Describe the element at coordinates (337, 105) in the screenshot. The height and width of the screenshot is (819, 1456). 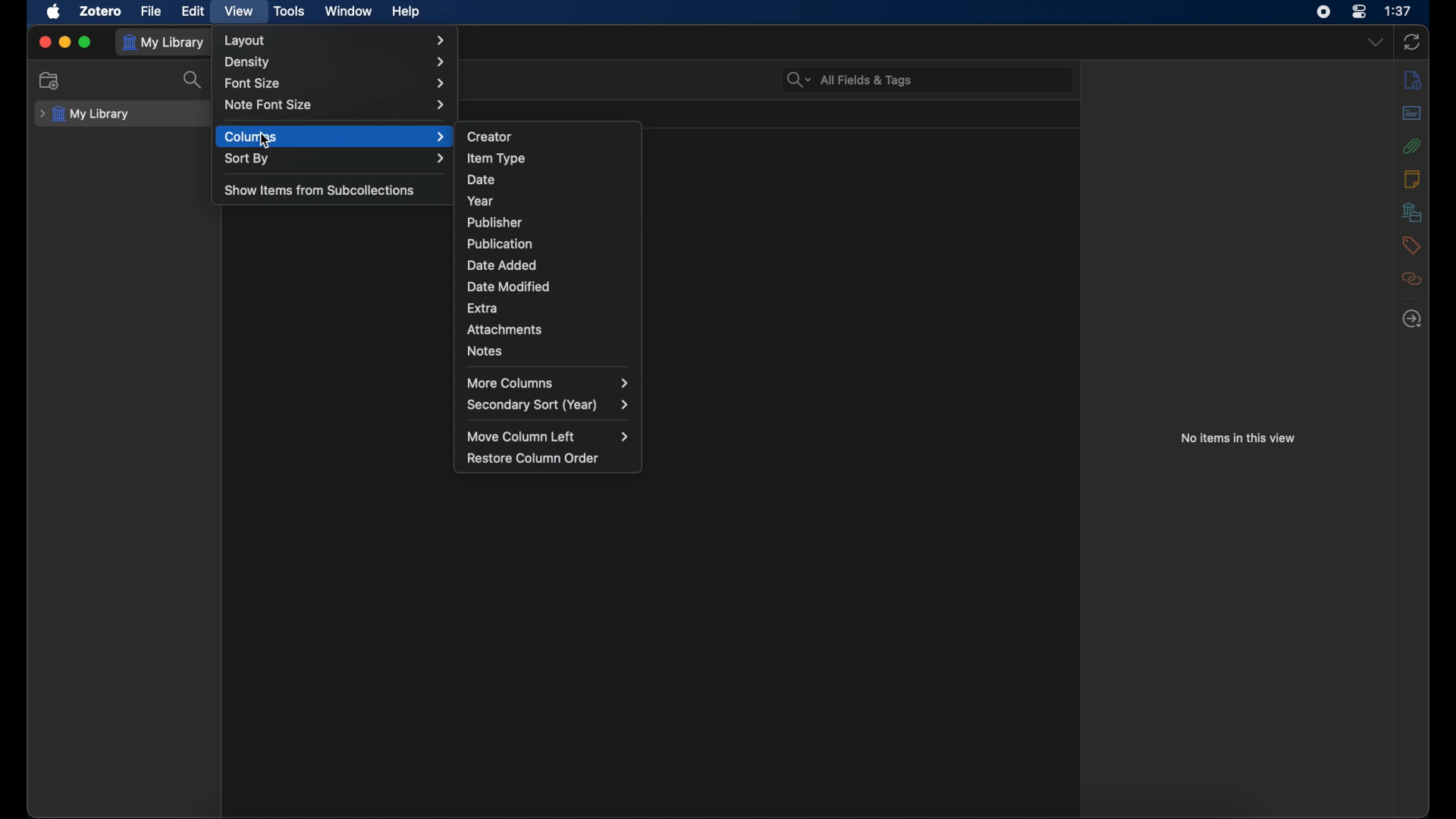
I see `note font size` at that location.